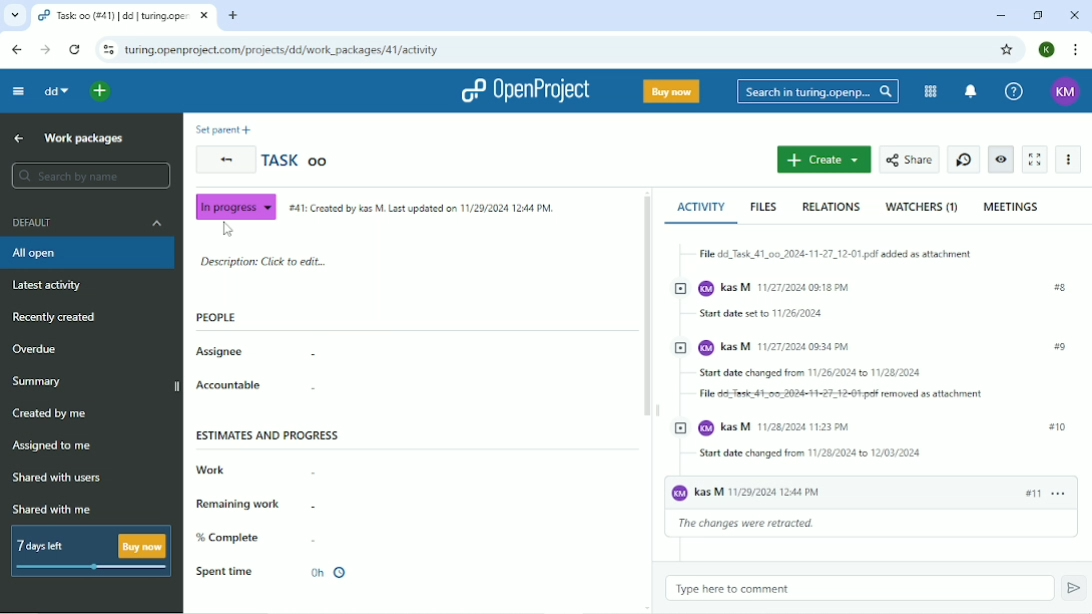 The width and height of the screenshot is (1092, 614). I want to click on dd, so click(57, 93).